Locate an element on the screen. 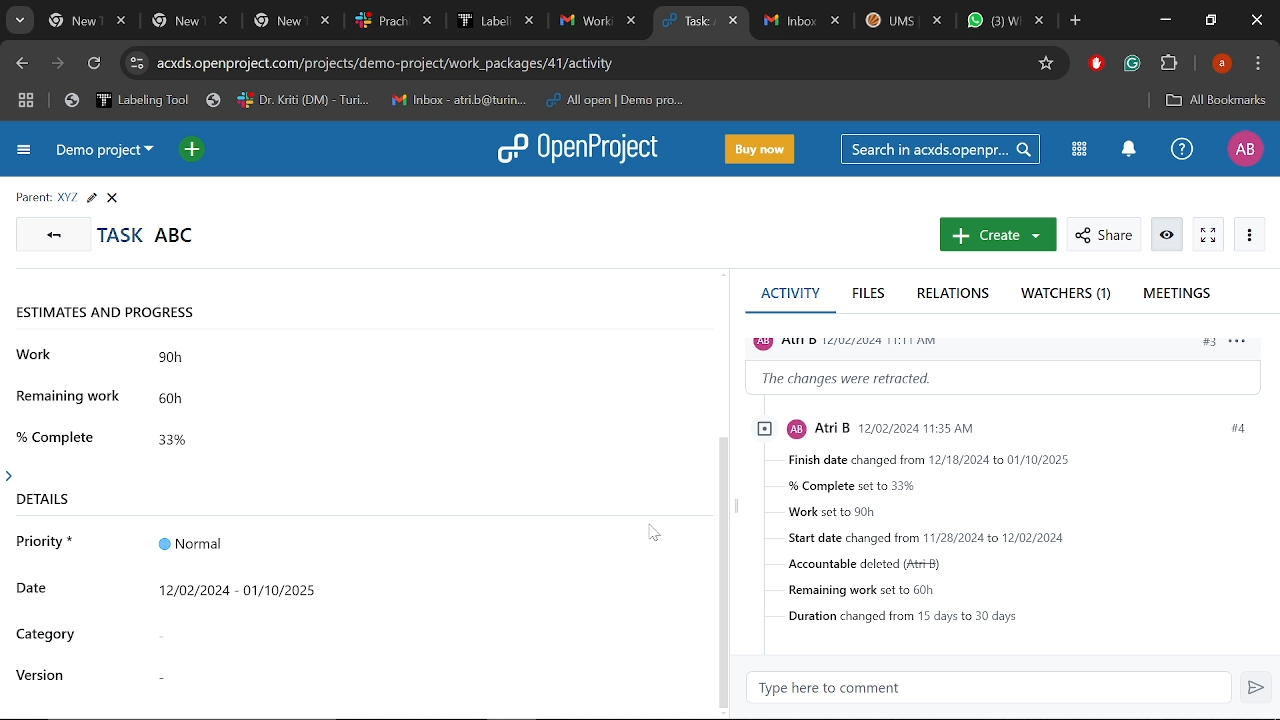 Image resolution: width=1280 pixels, height=720 pixels. Activate zen mode is located at coordinates (1208, 235).